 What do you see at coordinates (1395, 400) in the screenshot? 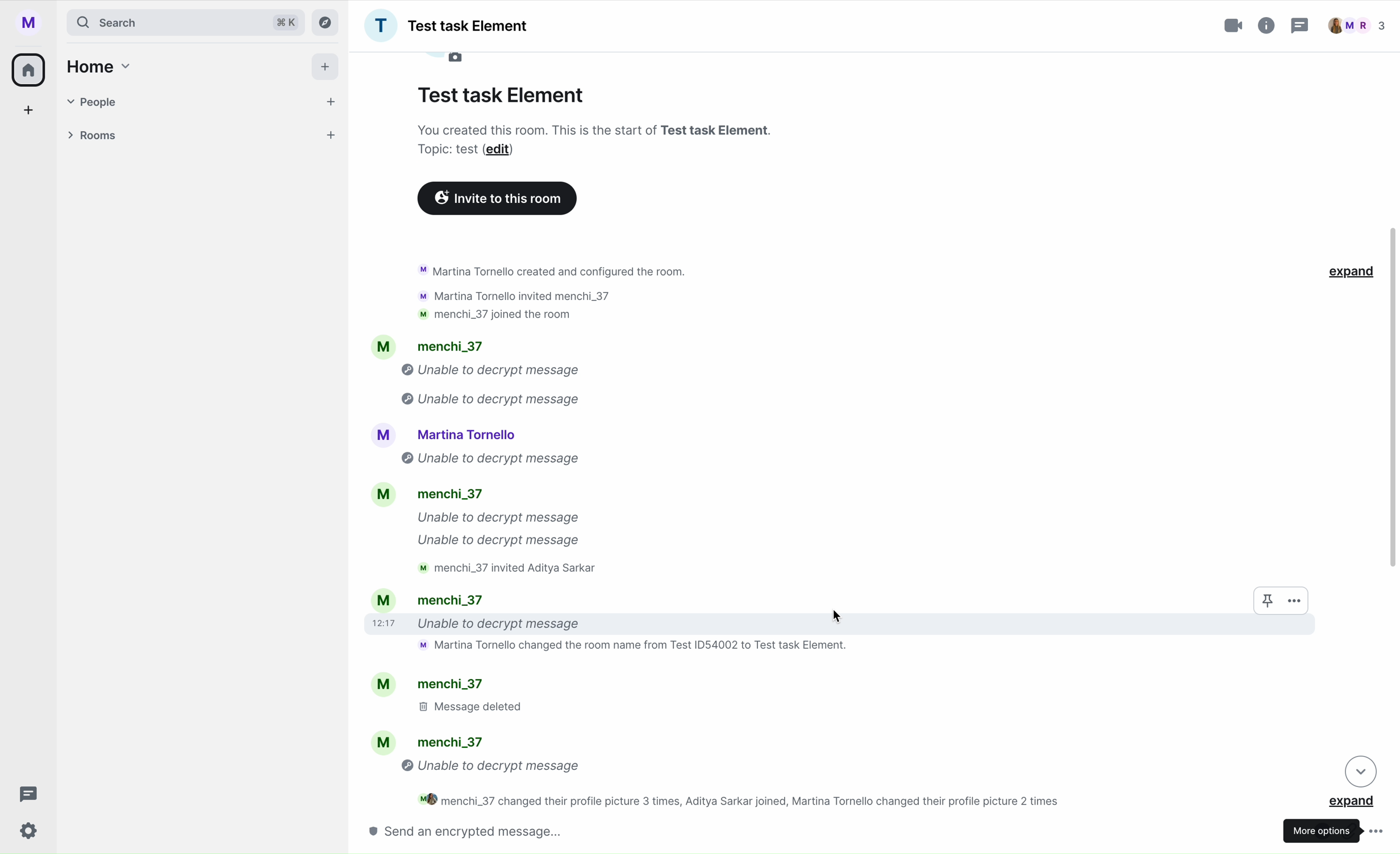
I see `scroll bar` at bounding box center [1395, 400].